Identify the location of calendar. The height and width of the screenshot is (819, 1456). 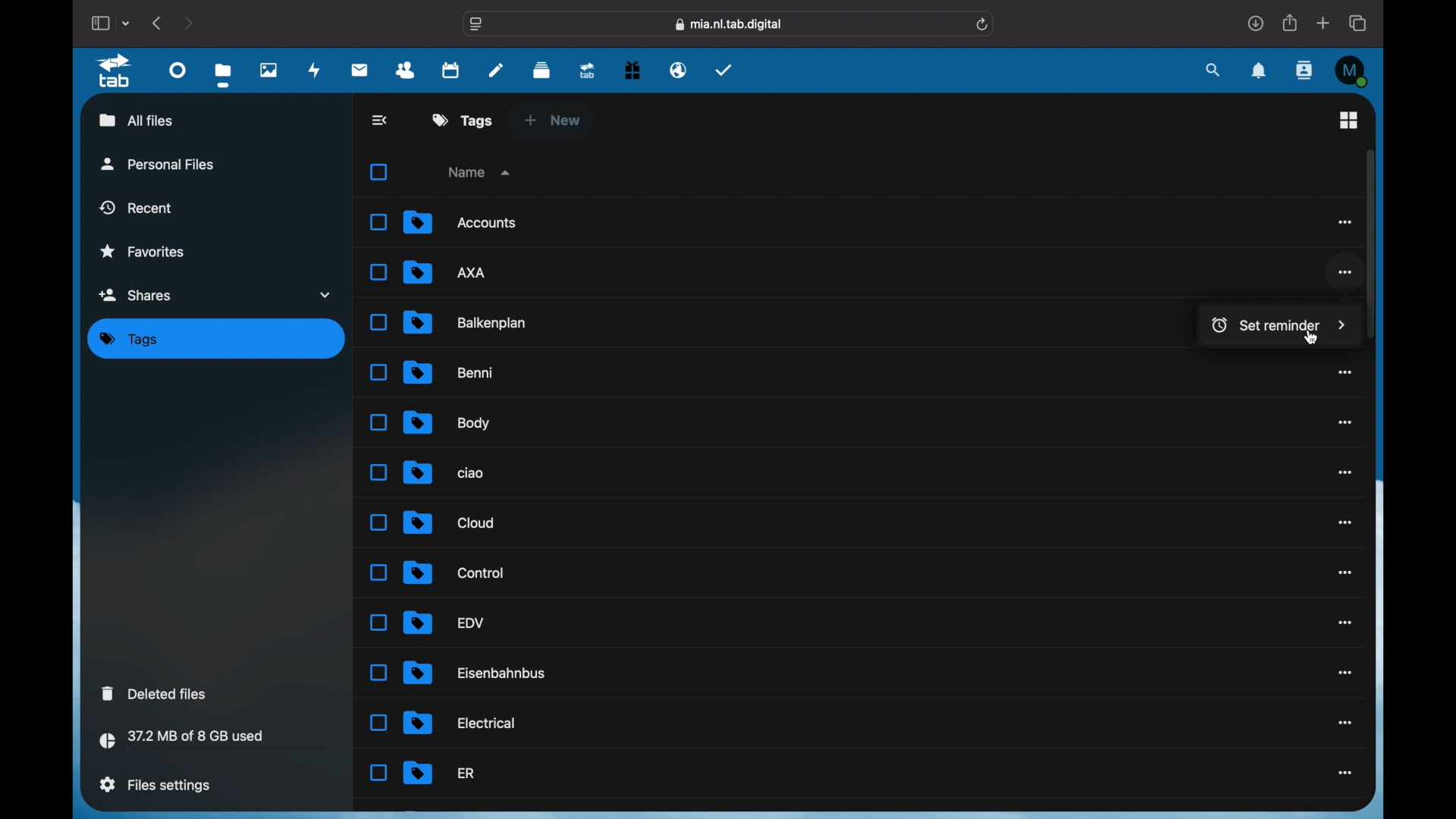
(452, 69).